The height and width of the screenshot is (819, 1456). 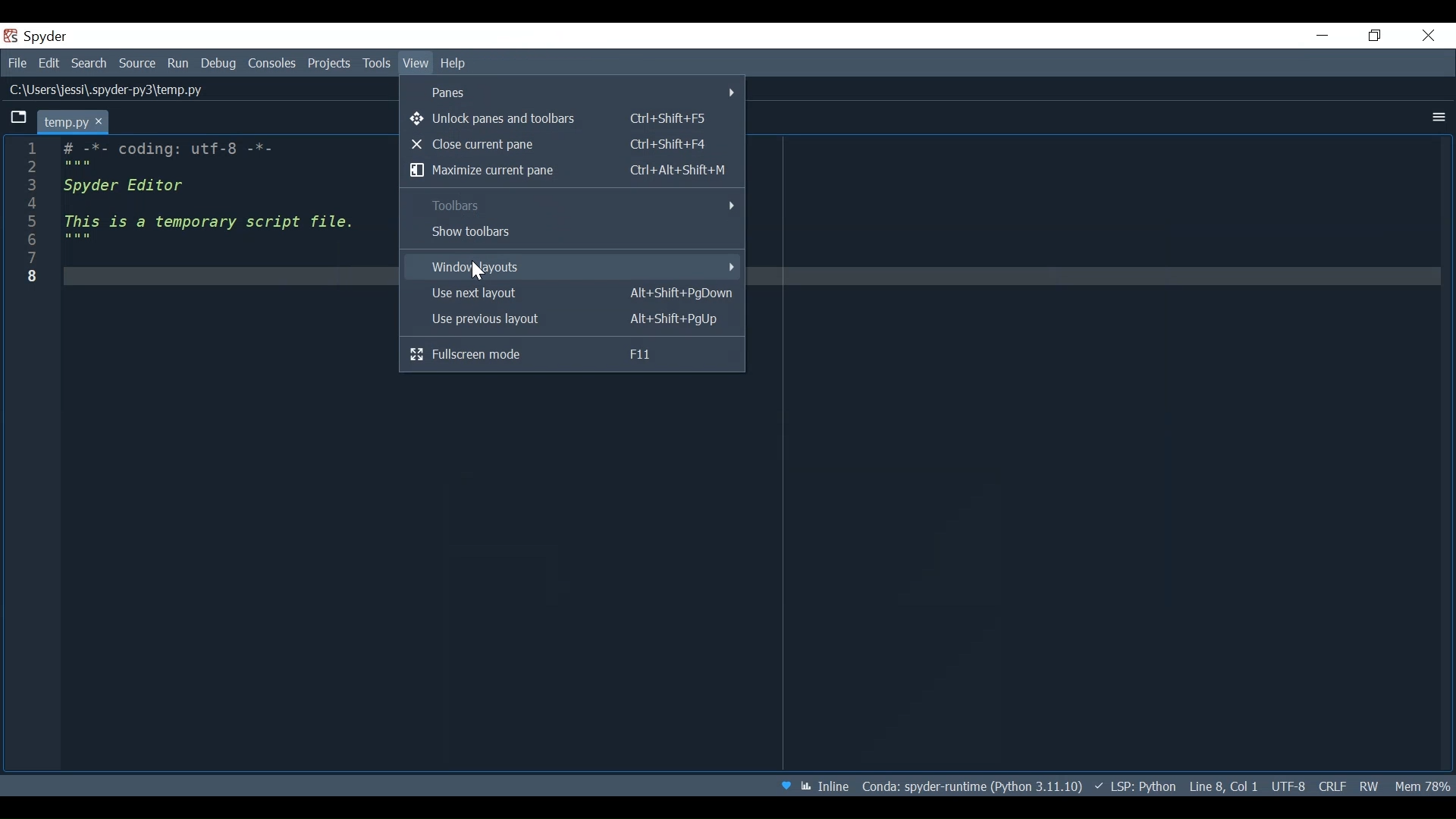 I want to click on Debug, so click(x=219, y=64).